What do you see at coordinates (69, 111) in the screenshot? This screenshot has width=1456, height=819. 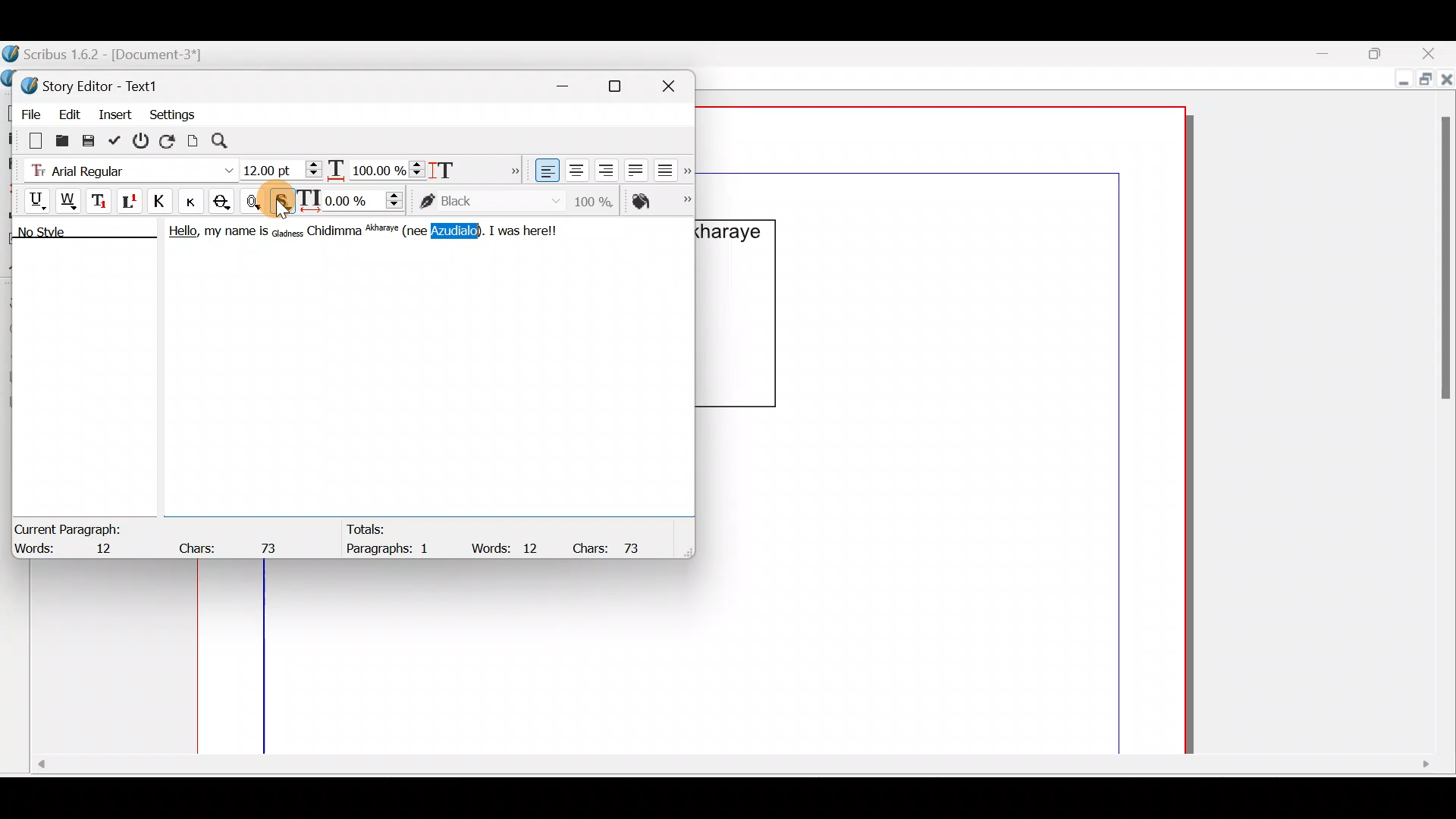 I see `Edit ` at bounding box center [69, 111].